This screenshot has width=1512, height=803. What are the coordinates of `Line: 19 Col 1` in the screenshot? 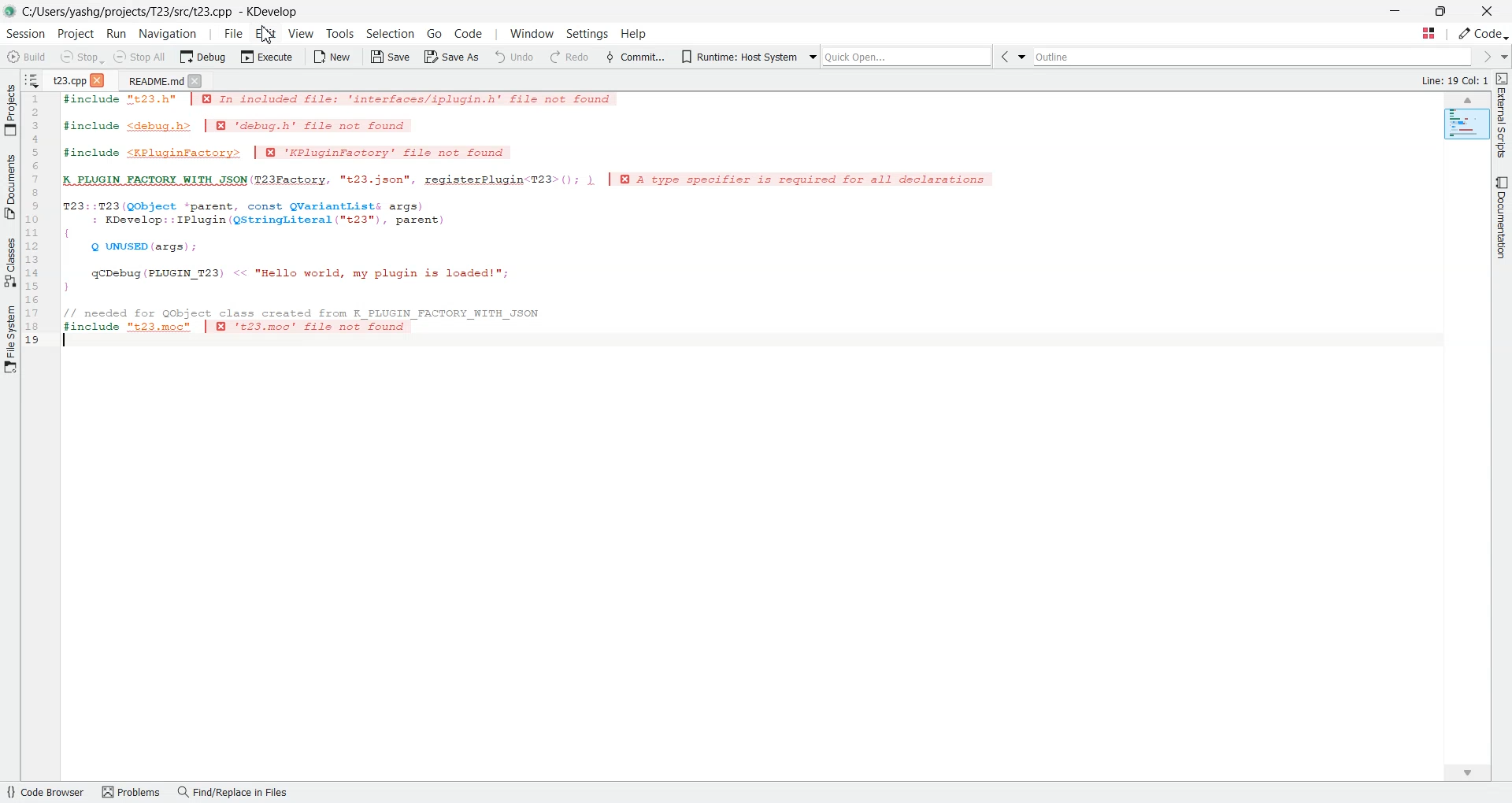 It's located at (1457, 81).